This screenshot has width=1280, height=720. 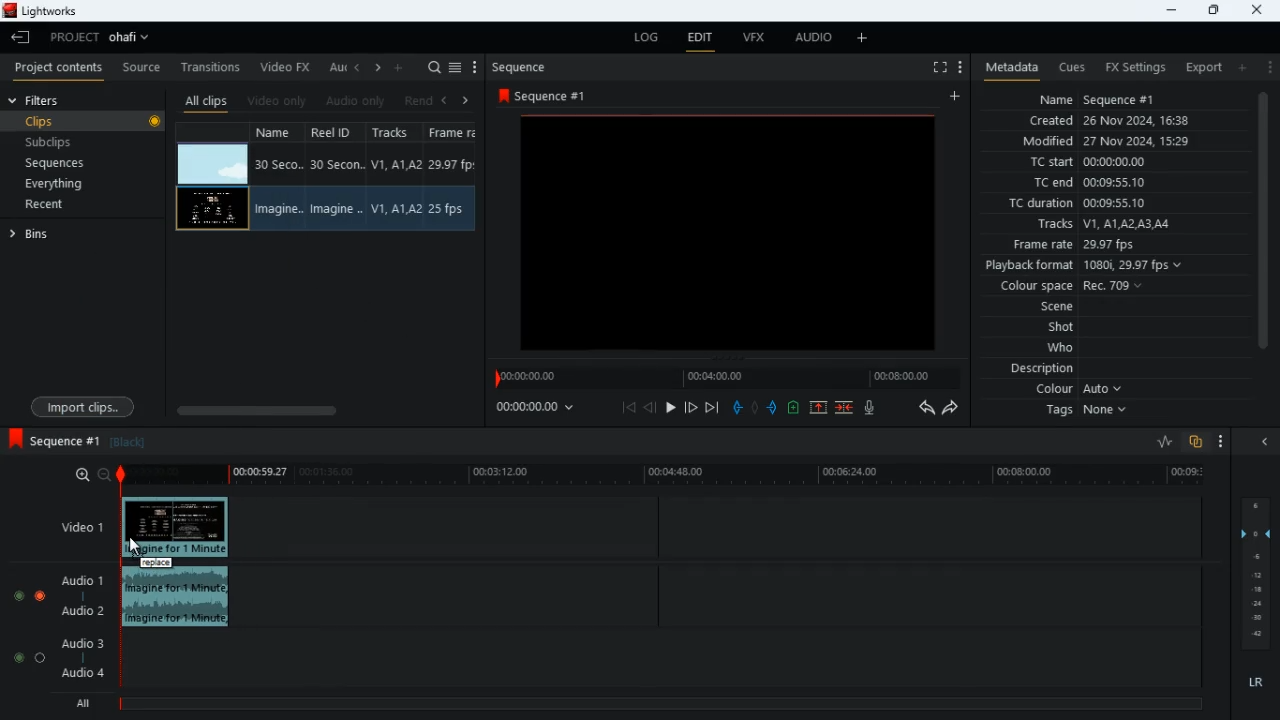 I want to click on project contents, so click(x=59, y=67).